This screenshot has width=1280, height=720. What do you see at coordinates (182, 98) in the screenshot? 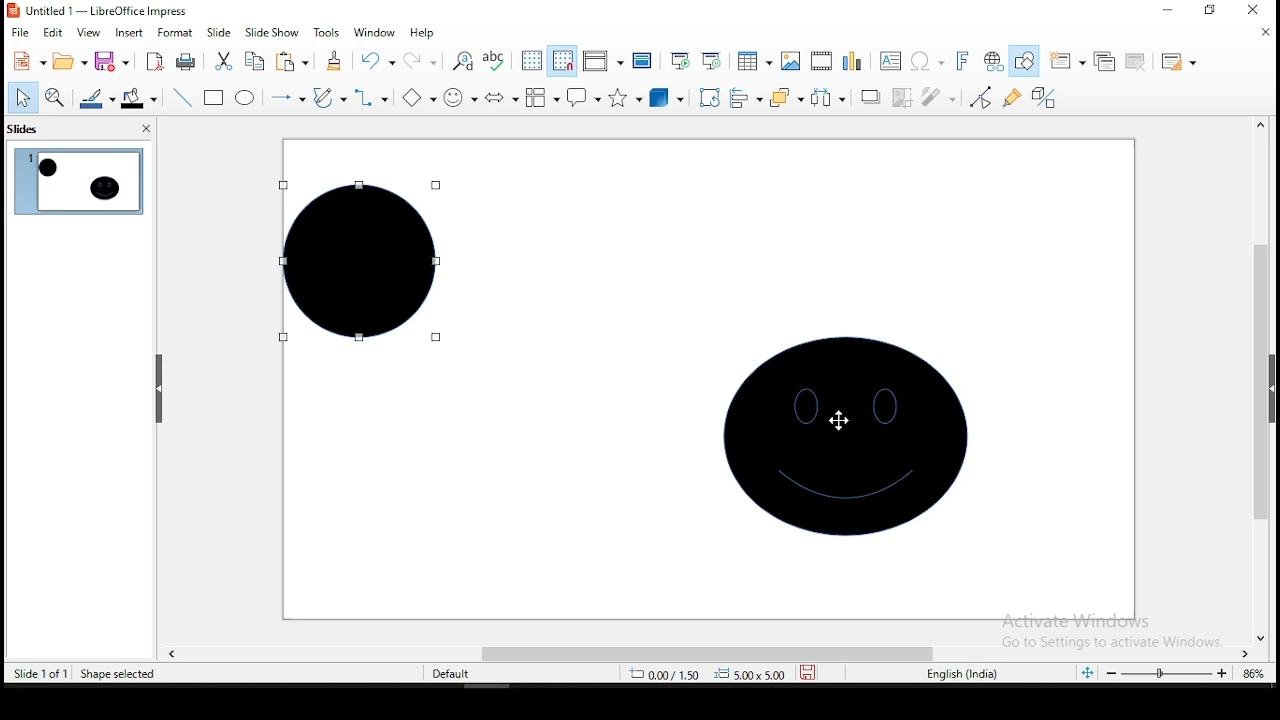
I see `line` at bounding box center [182, 98].